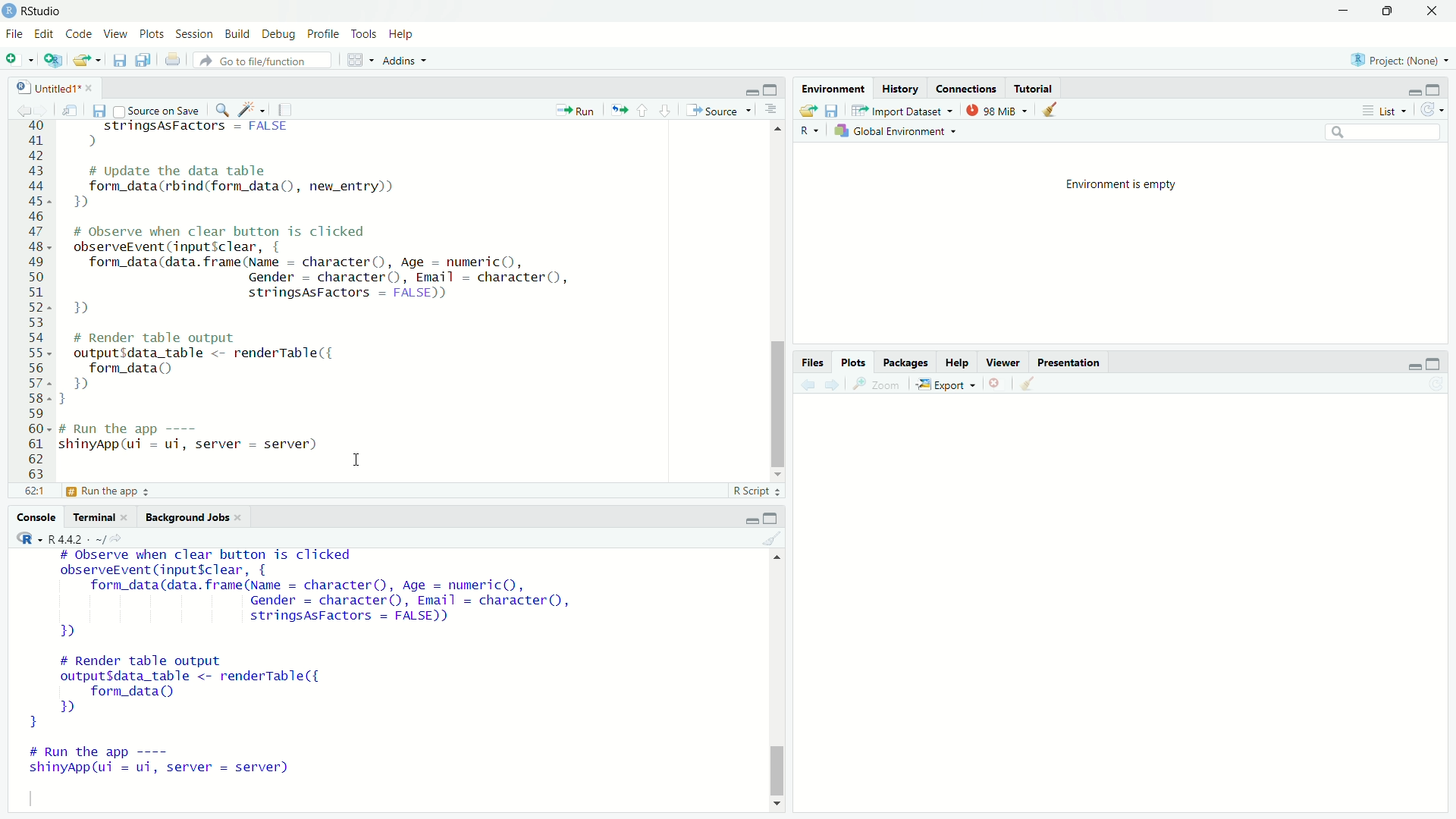 The width and height of the screenshot is (1456, 819). I want to click on move up, so click(775, 560).